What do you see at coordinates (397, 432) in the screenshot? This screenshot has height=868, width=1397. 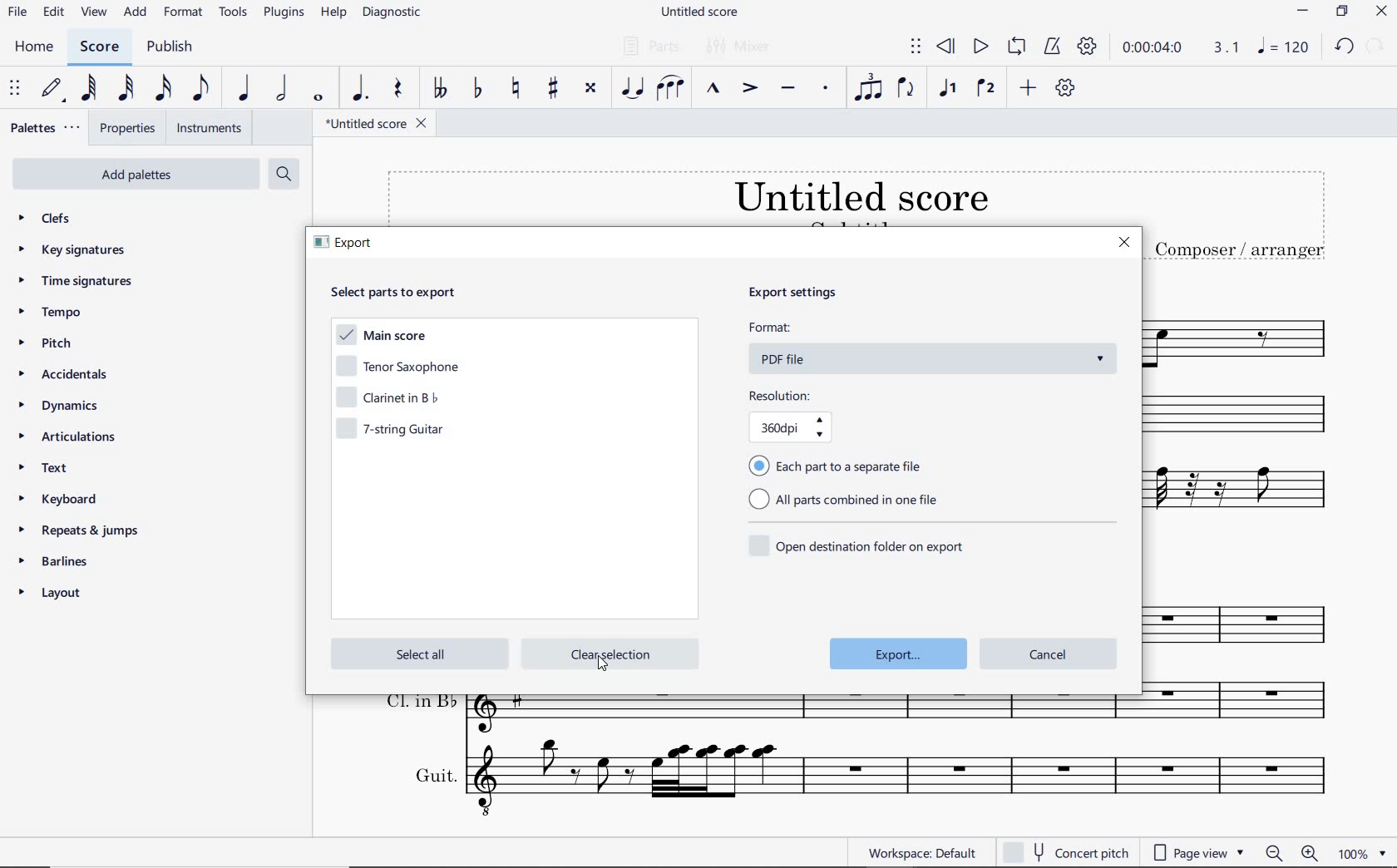 I see `7-string guitar` at bounding box center [397, 432].